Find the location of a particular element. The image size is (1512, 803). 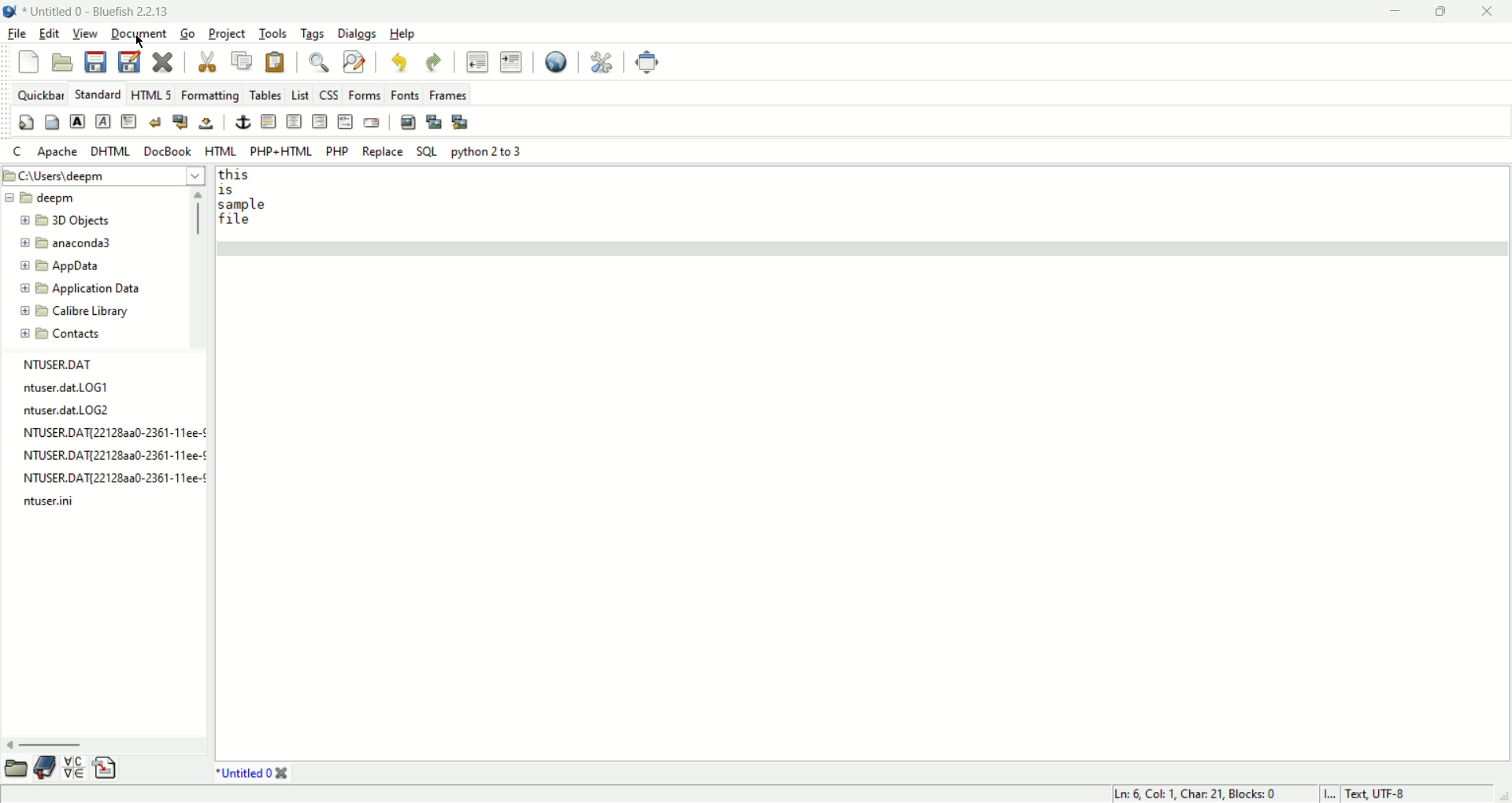

bookmark is located at coordinates (44, 768).